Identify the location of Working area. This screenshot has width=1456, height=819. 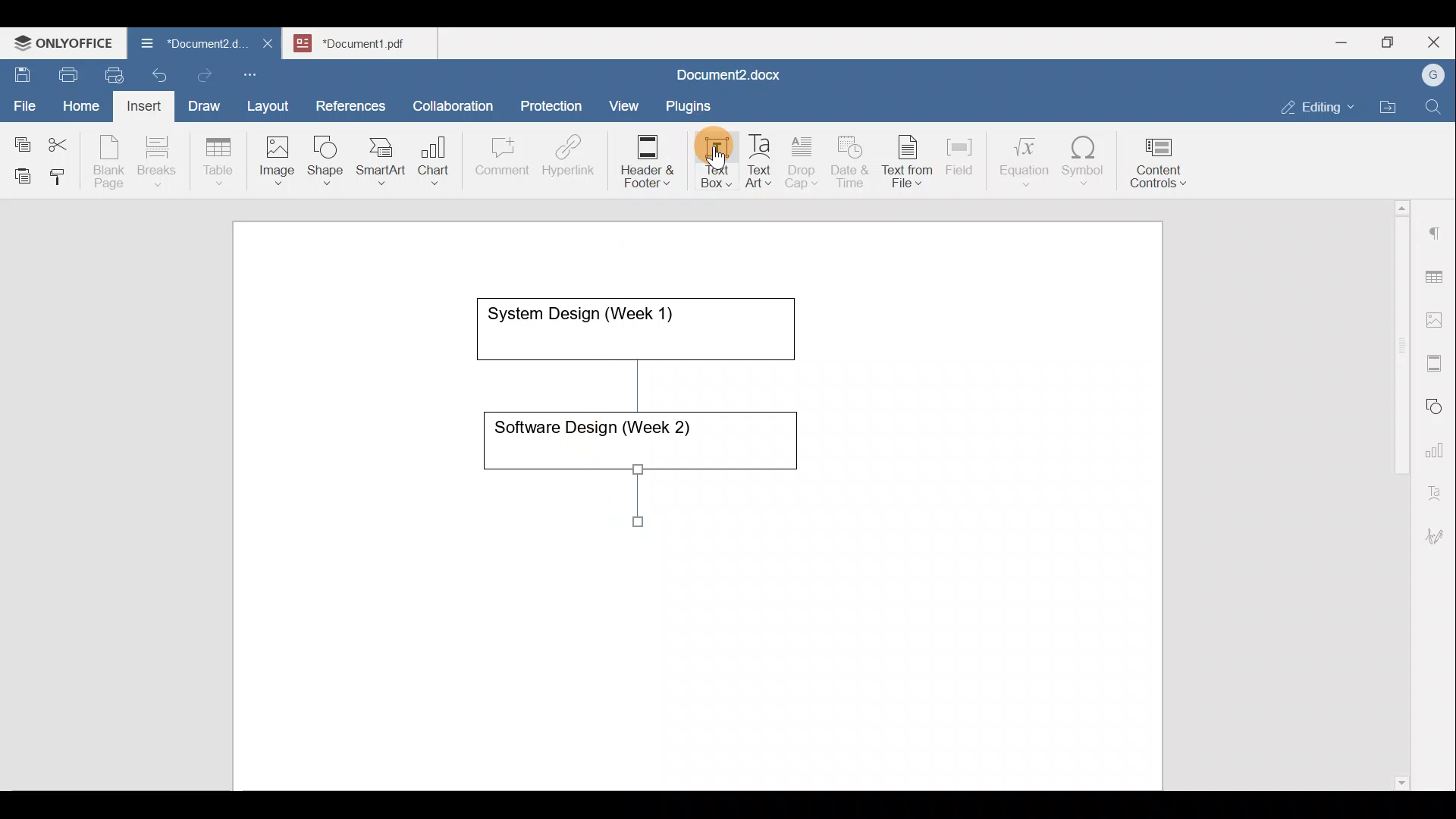
(695, 504).